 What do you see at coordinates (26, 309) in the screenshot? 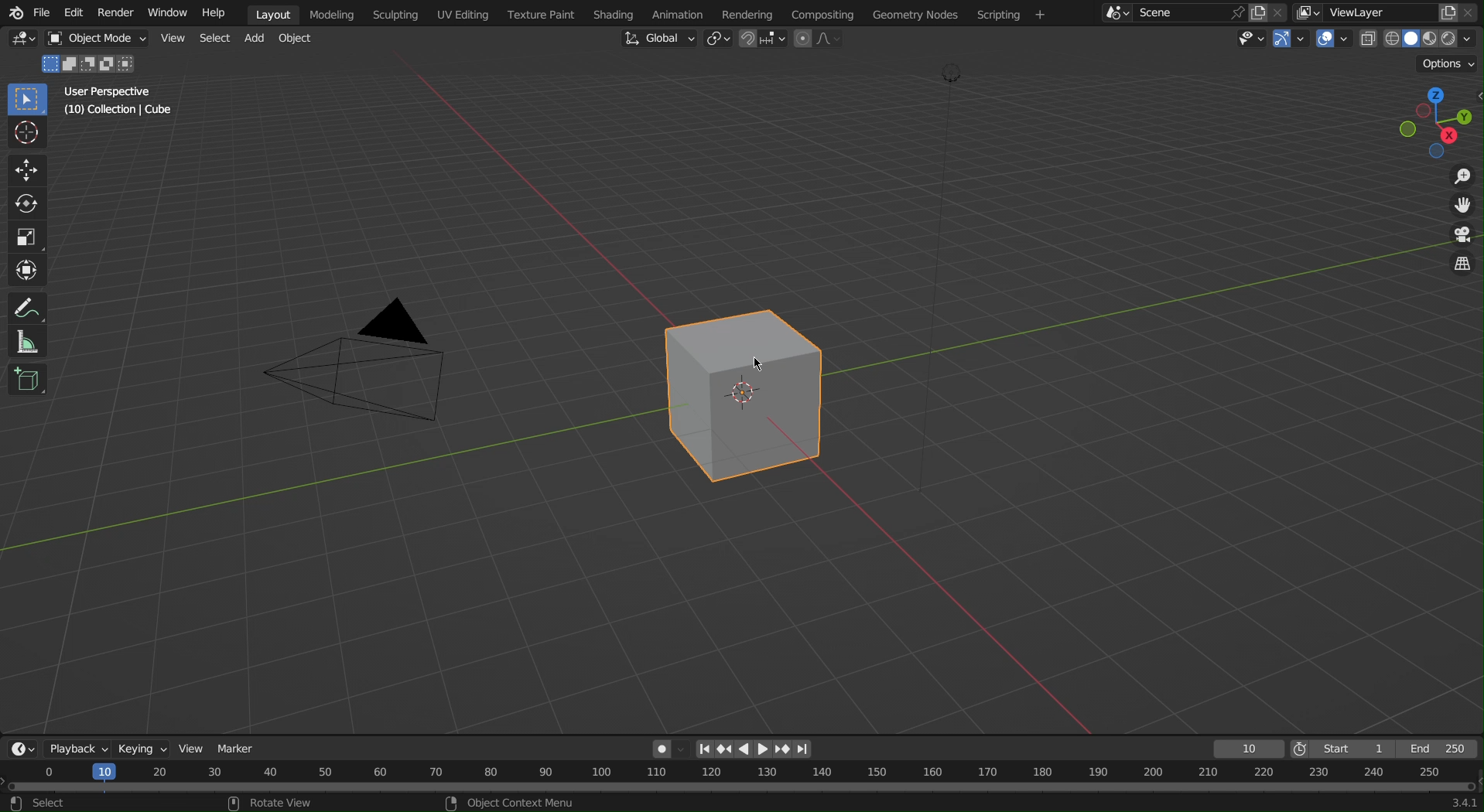
I see `Annotate` at bounding box center [26, 309].